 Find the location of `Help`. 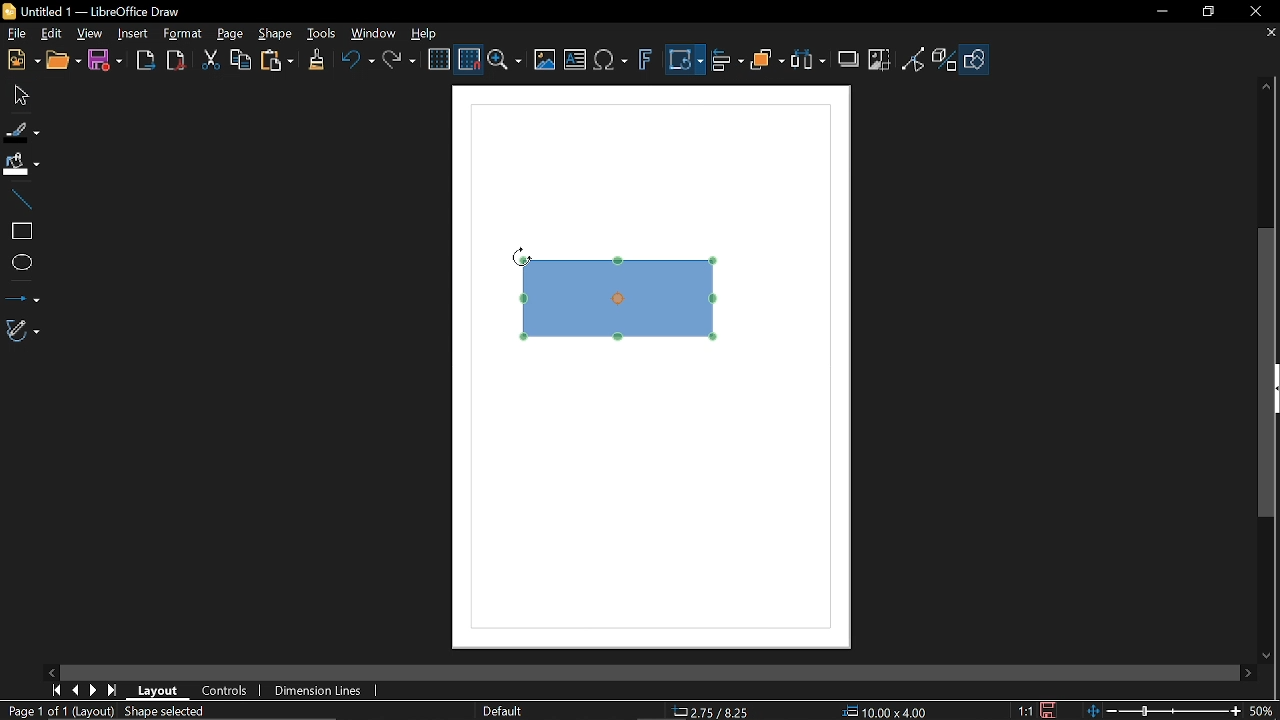

Help is located at coordinates (424, 34).